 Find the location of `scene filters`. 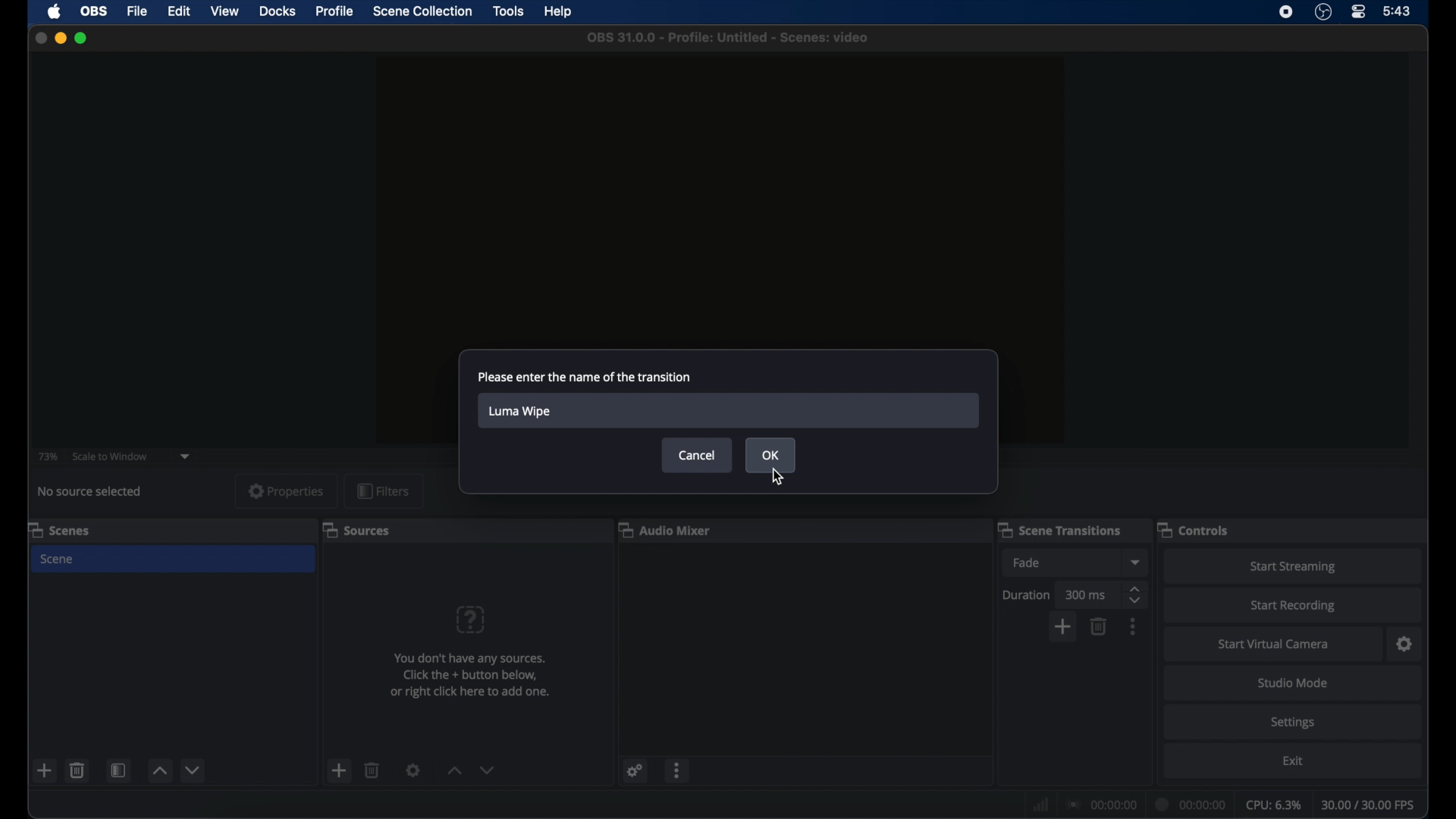

scene filters is located at coordinates (118, 770).